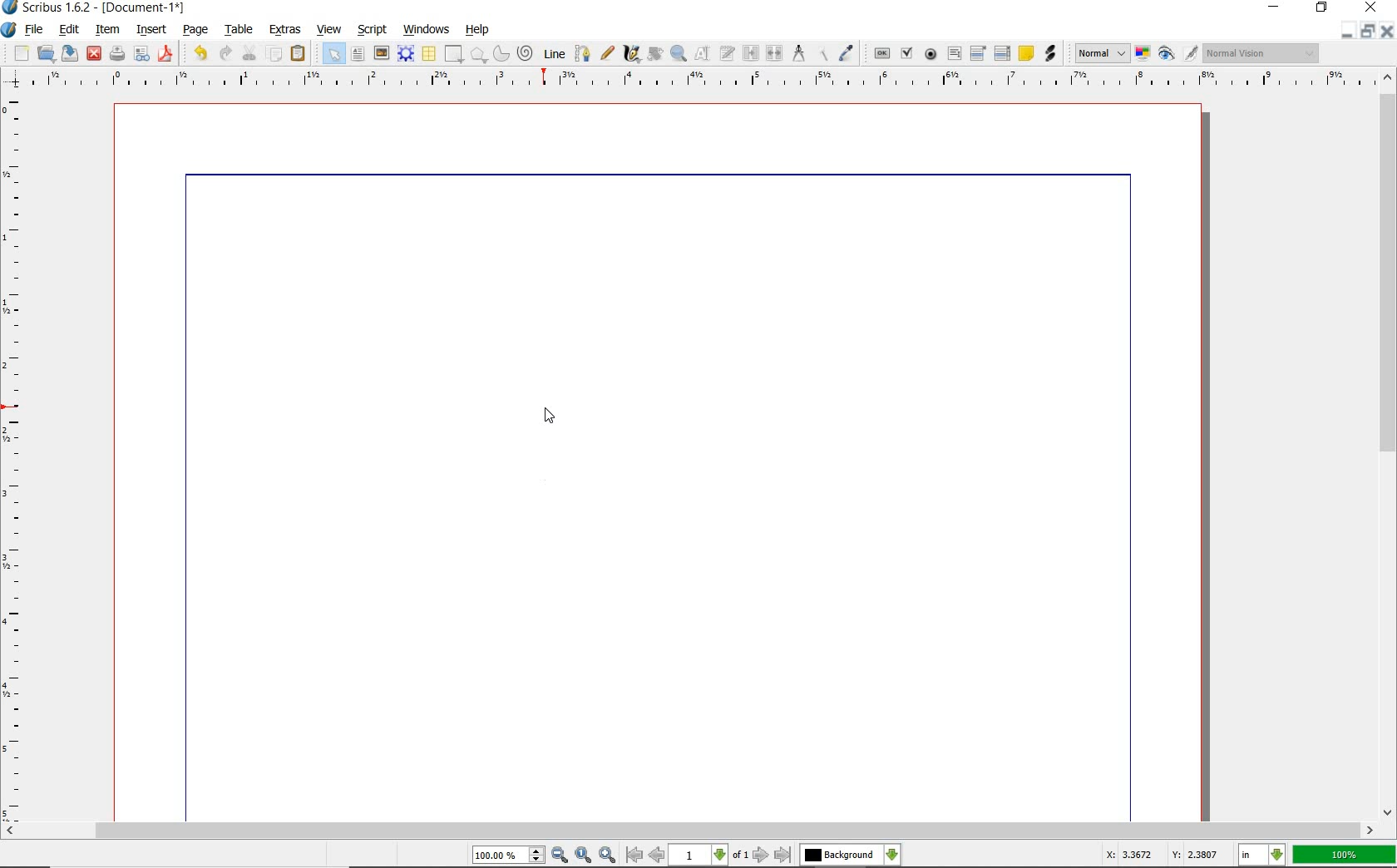  What do you see at coordinates (1159, 857) in the screenshot?
I see `Cursor Coordinates` at bounding box center [1159, 857].